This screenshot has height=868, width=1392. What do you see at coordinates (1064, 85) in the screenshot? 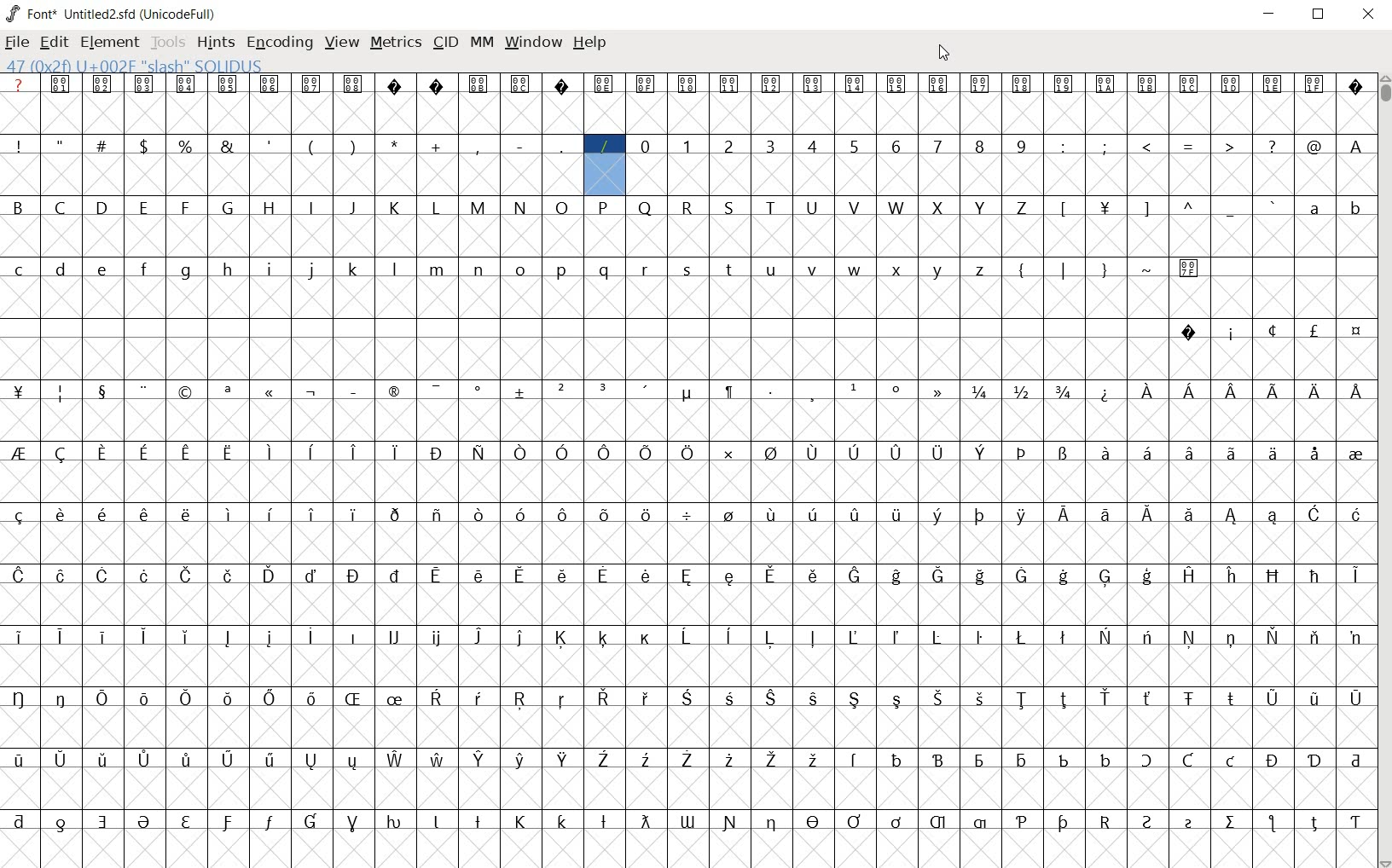
I see `glyph` at bounding box center [1064, 85].